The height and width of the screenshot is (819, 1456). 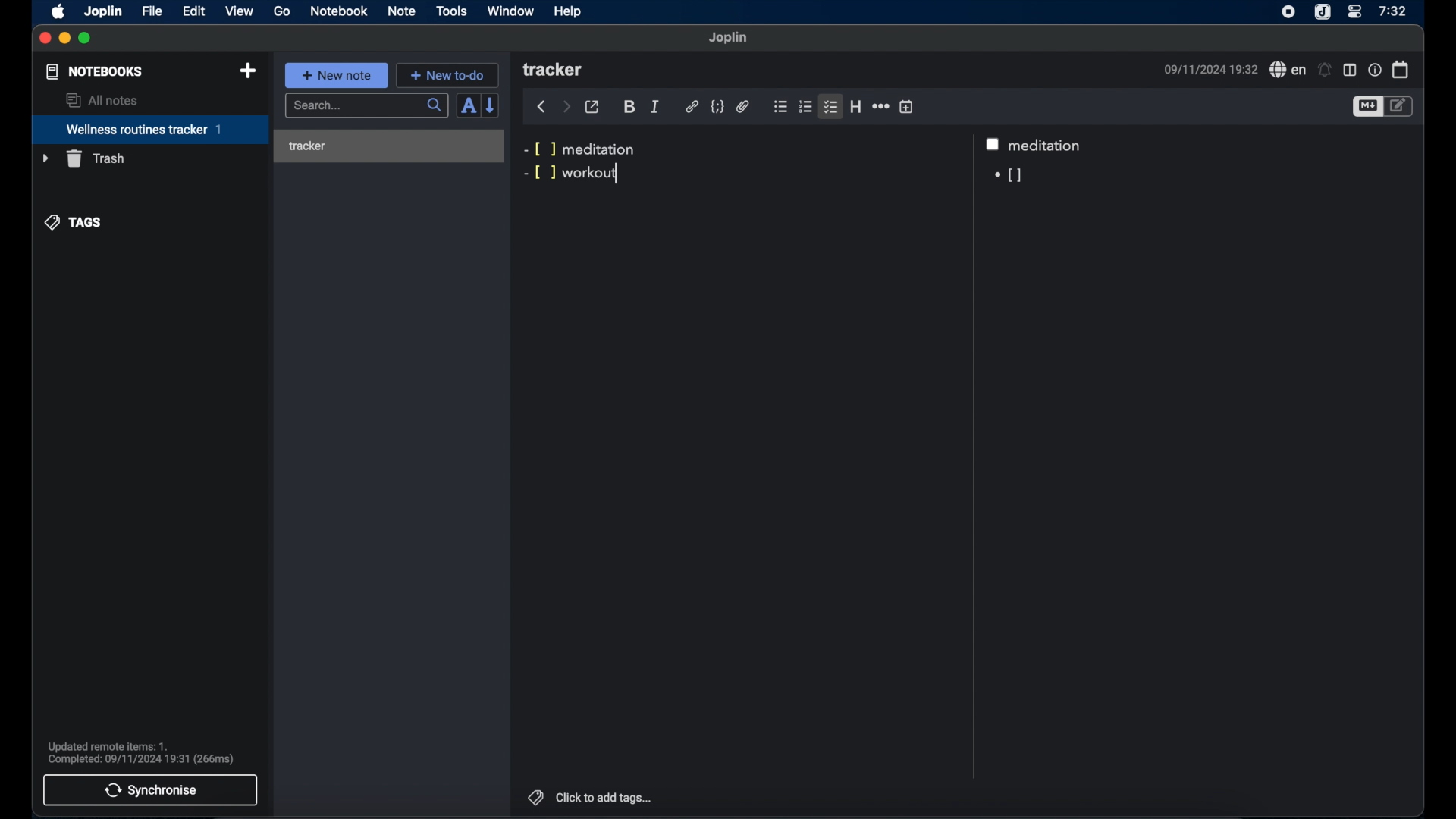 What do you see at coordinates (491, 105) in the screenshot?
I see `reverse sort order` at bounding box center [491, 105].